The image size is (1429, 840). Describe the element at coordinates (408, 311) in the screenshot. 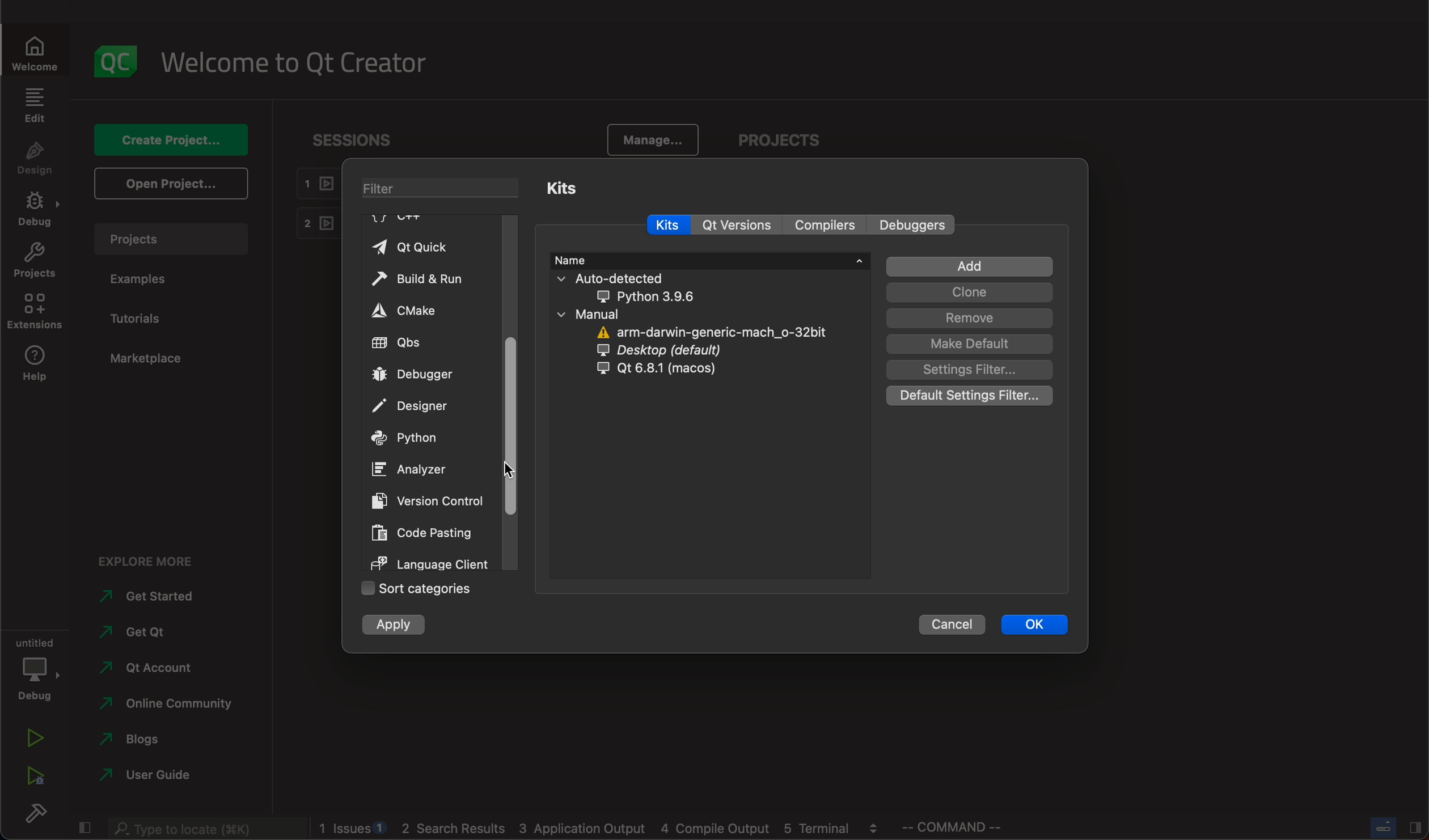

I see `cmake` at that location.